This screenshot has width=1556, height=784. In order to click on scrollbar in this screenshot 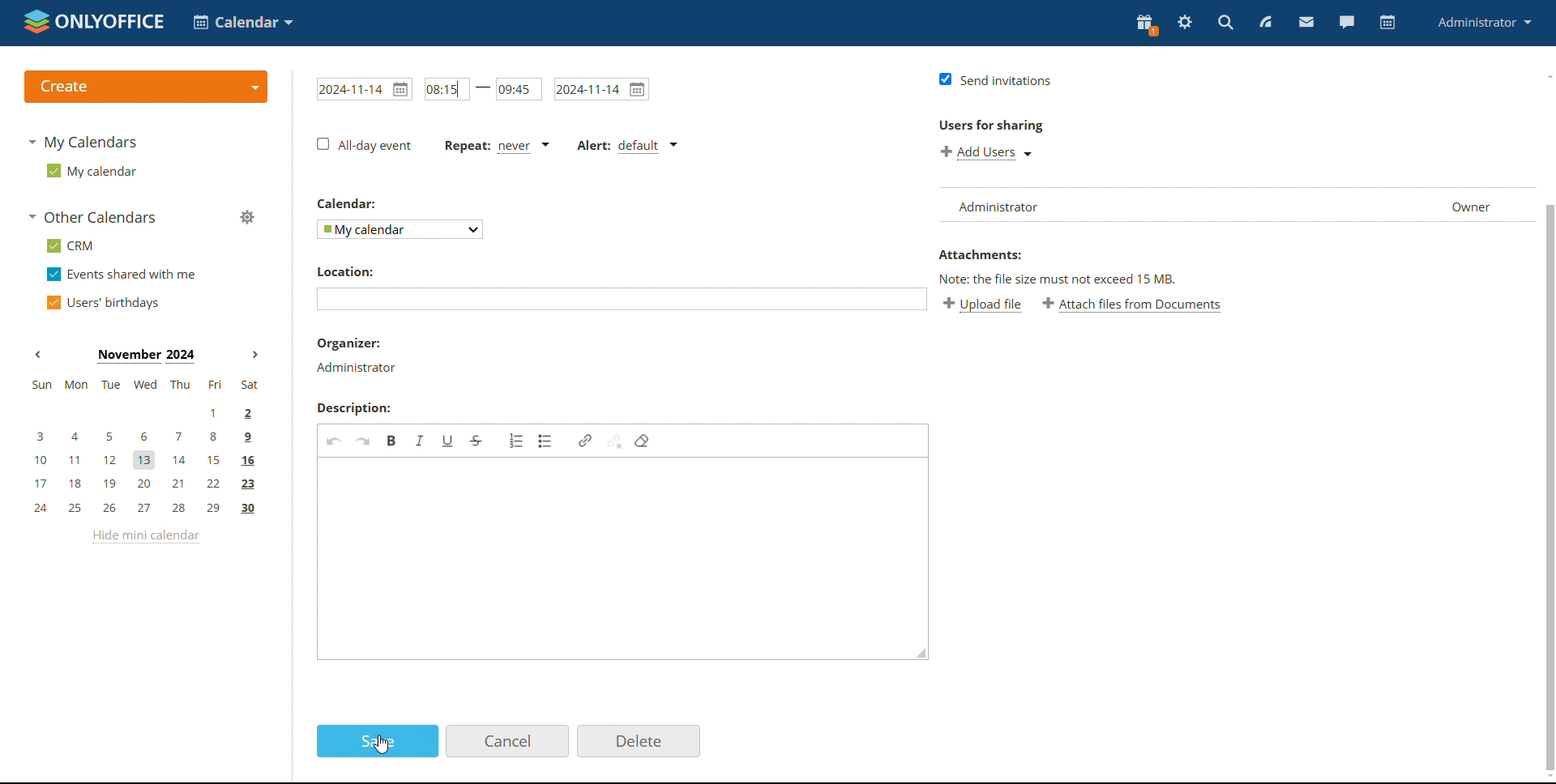, I will do `click(1550, 487)`.